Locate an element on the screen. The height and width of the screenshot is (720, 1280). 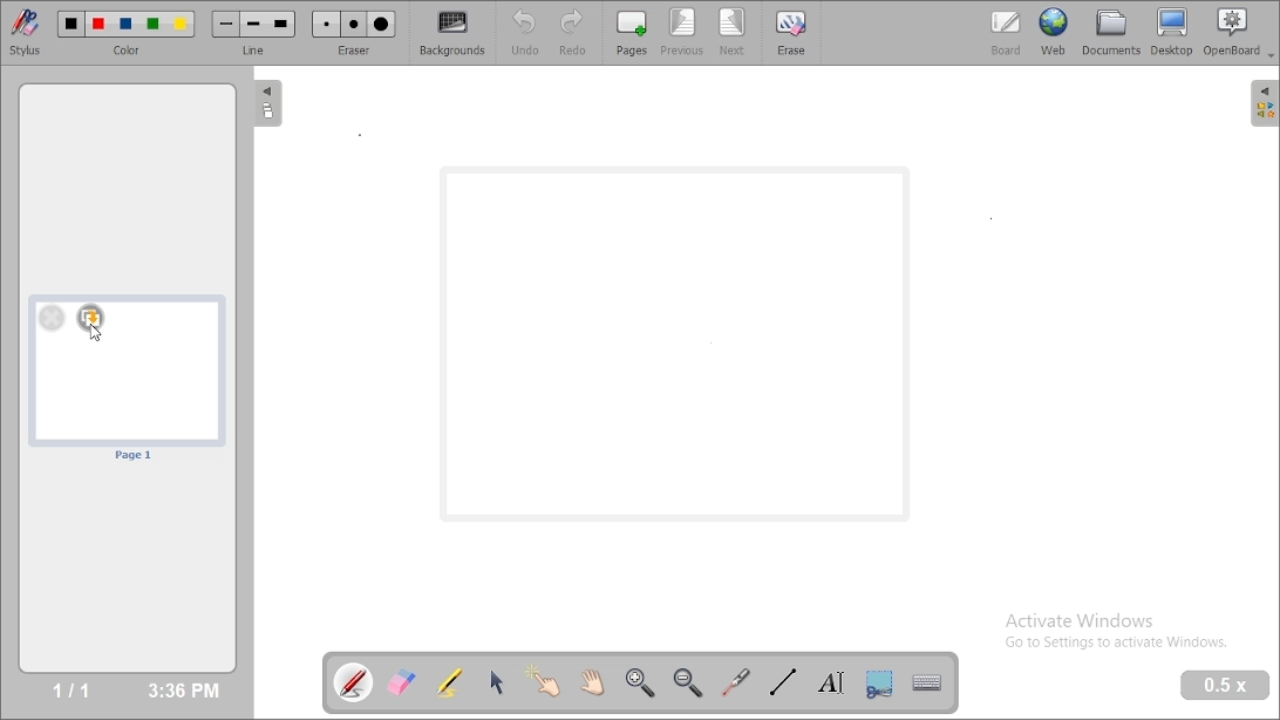
Large line is located at coordinates (282, 25).